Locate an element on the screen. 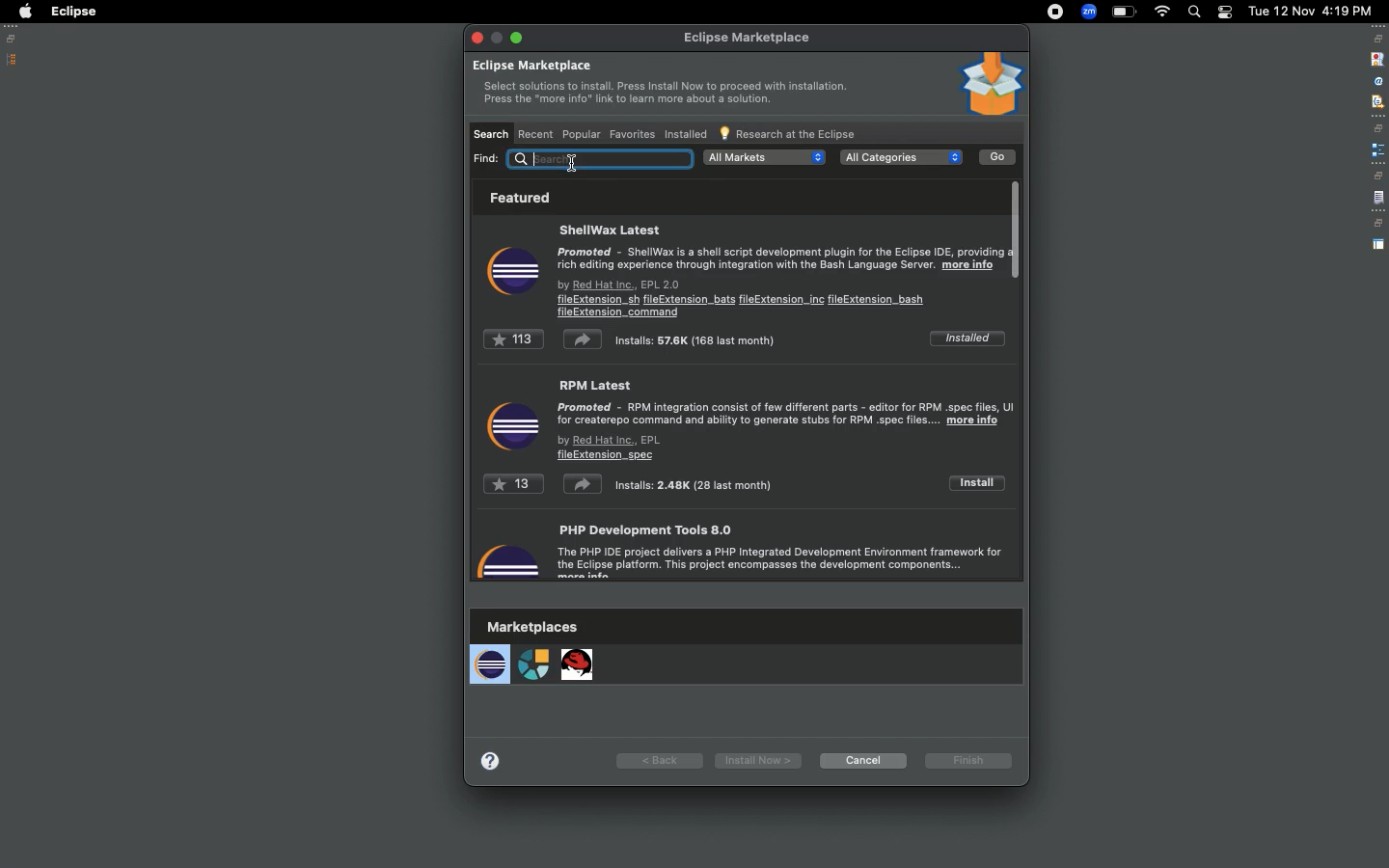 The height and width of the screenshot is (868, 1389). Finish  is located at coordinates (971, 760).